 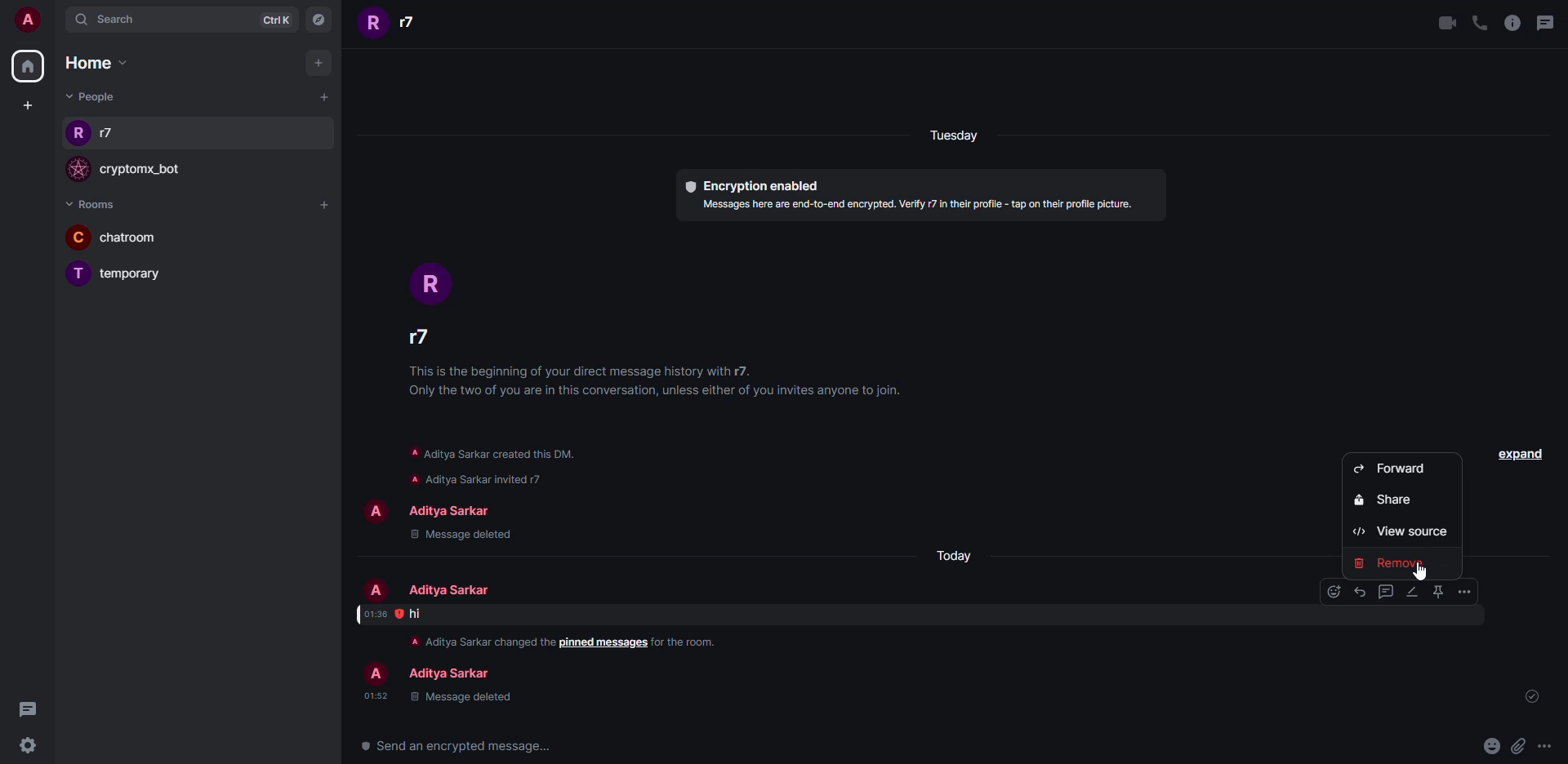 I want to click on pin, so click(x=1437, y=591).